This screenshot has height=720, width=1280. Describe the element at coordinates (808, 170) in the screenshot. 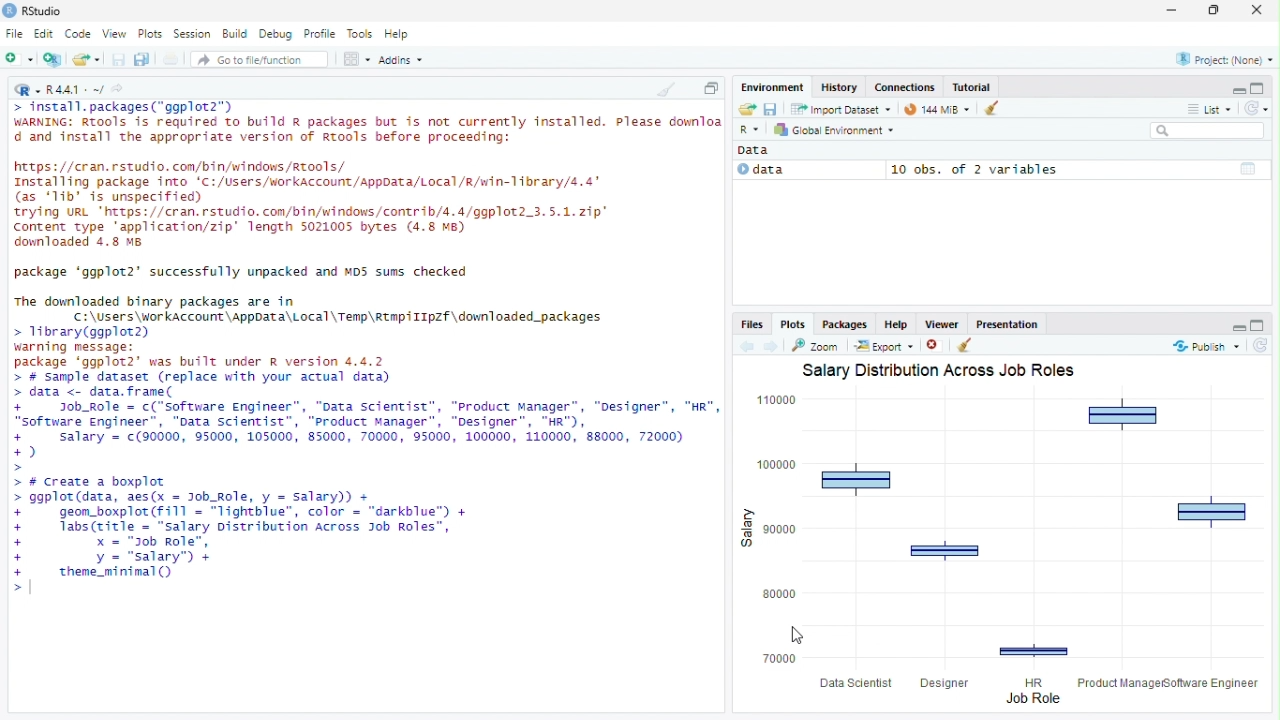

I see `data` at that location.